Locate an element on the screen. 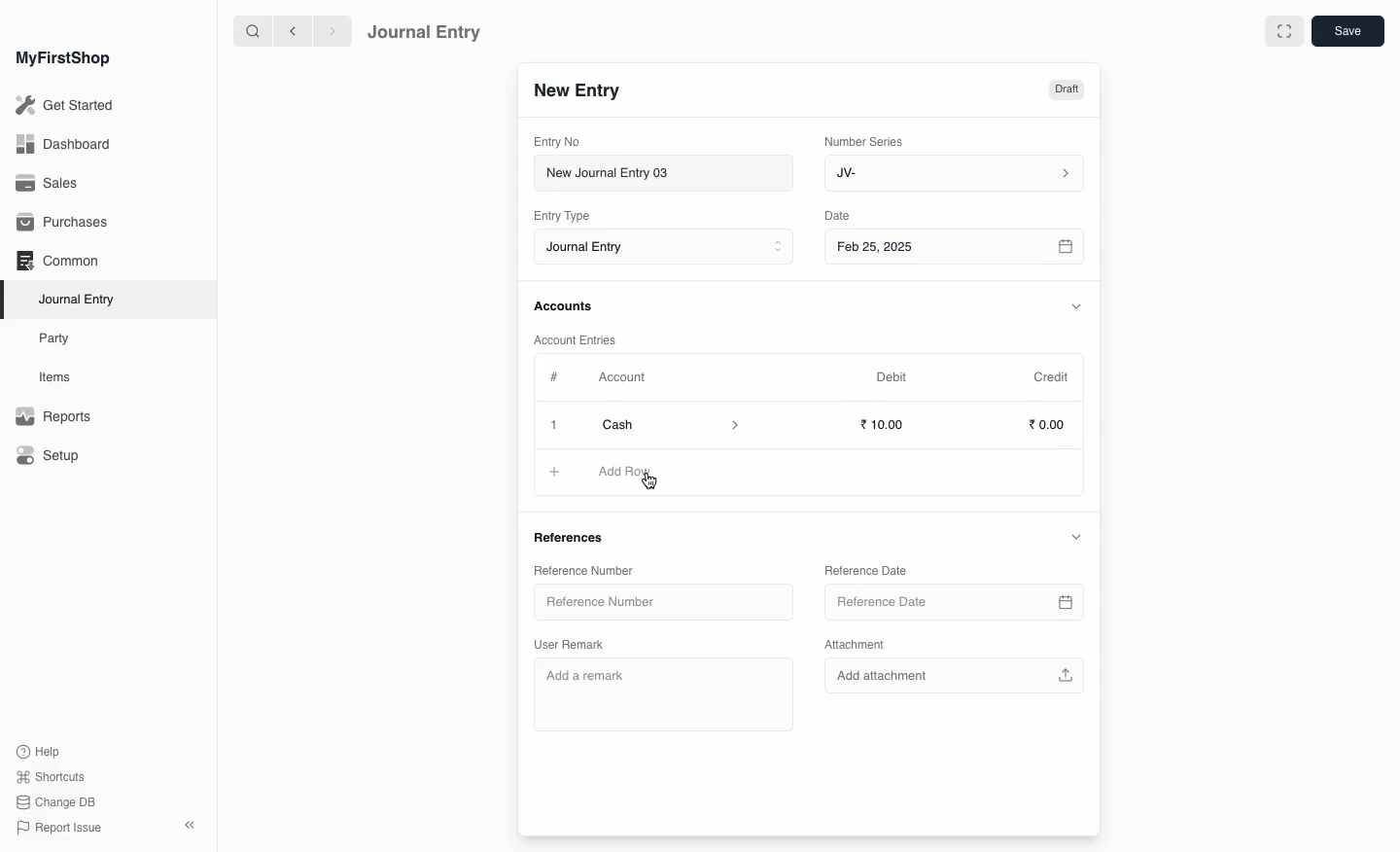  Draft is located at coordinates (1066, 91).